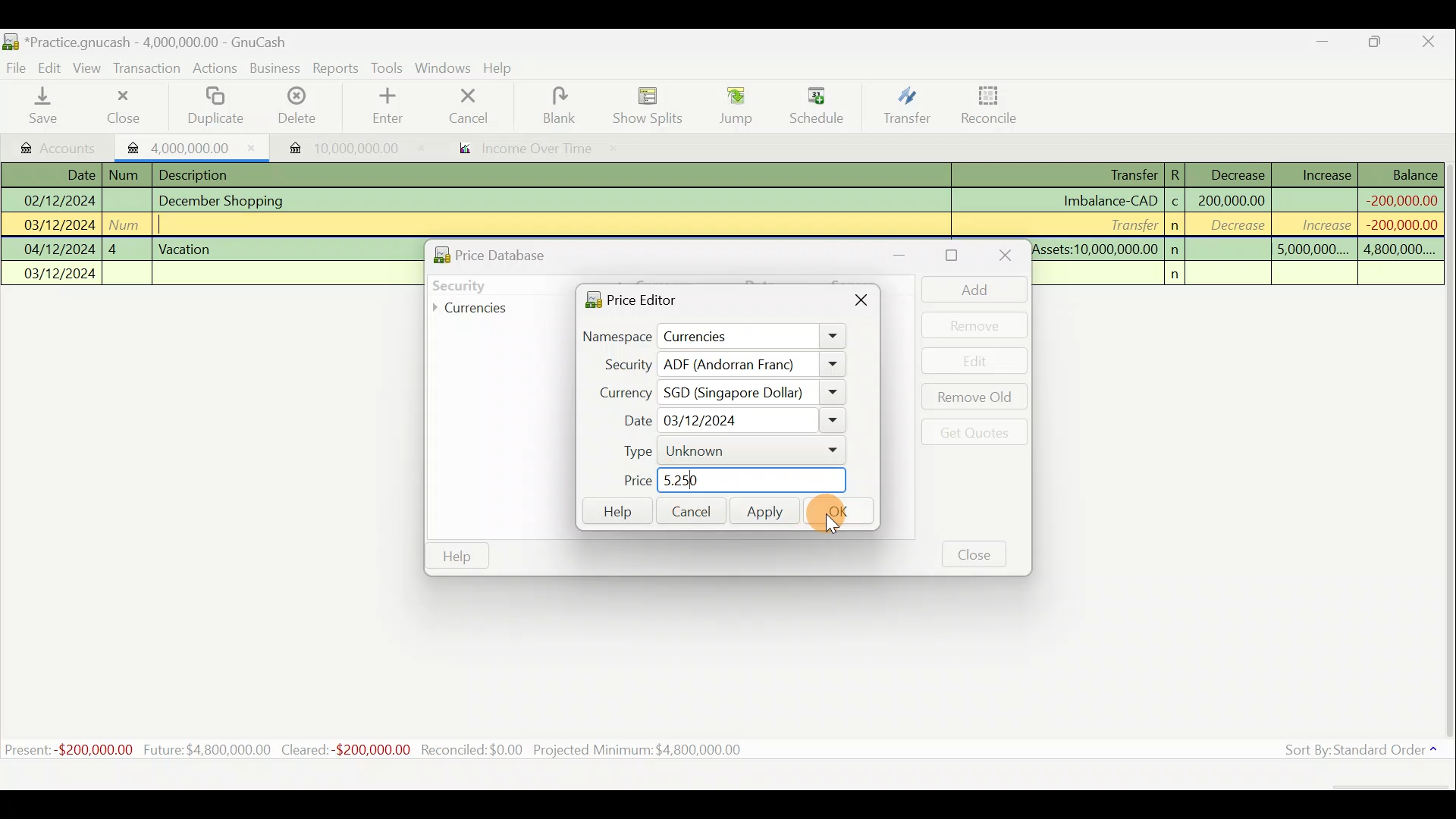 The height and width of the screenshot is (819, 1456). Describe the element at coordinates (60, 227) in the screenshot. I see `03/12/2024` at that location.